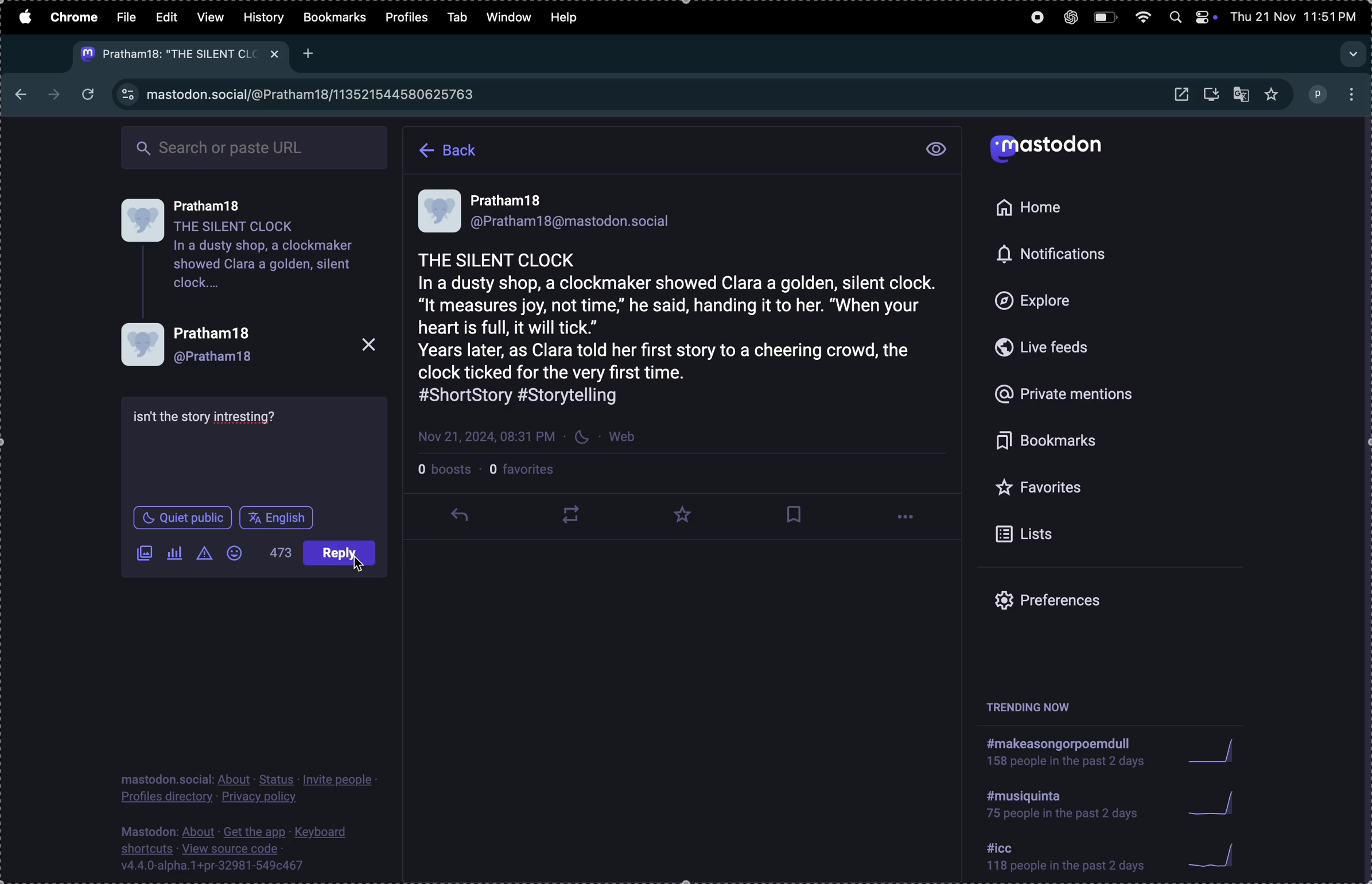 Image resolution: width=1372 pixels, height=884 pixels. I want to click on tab, so click(460, 17).